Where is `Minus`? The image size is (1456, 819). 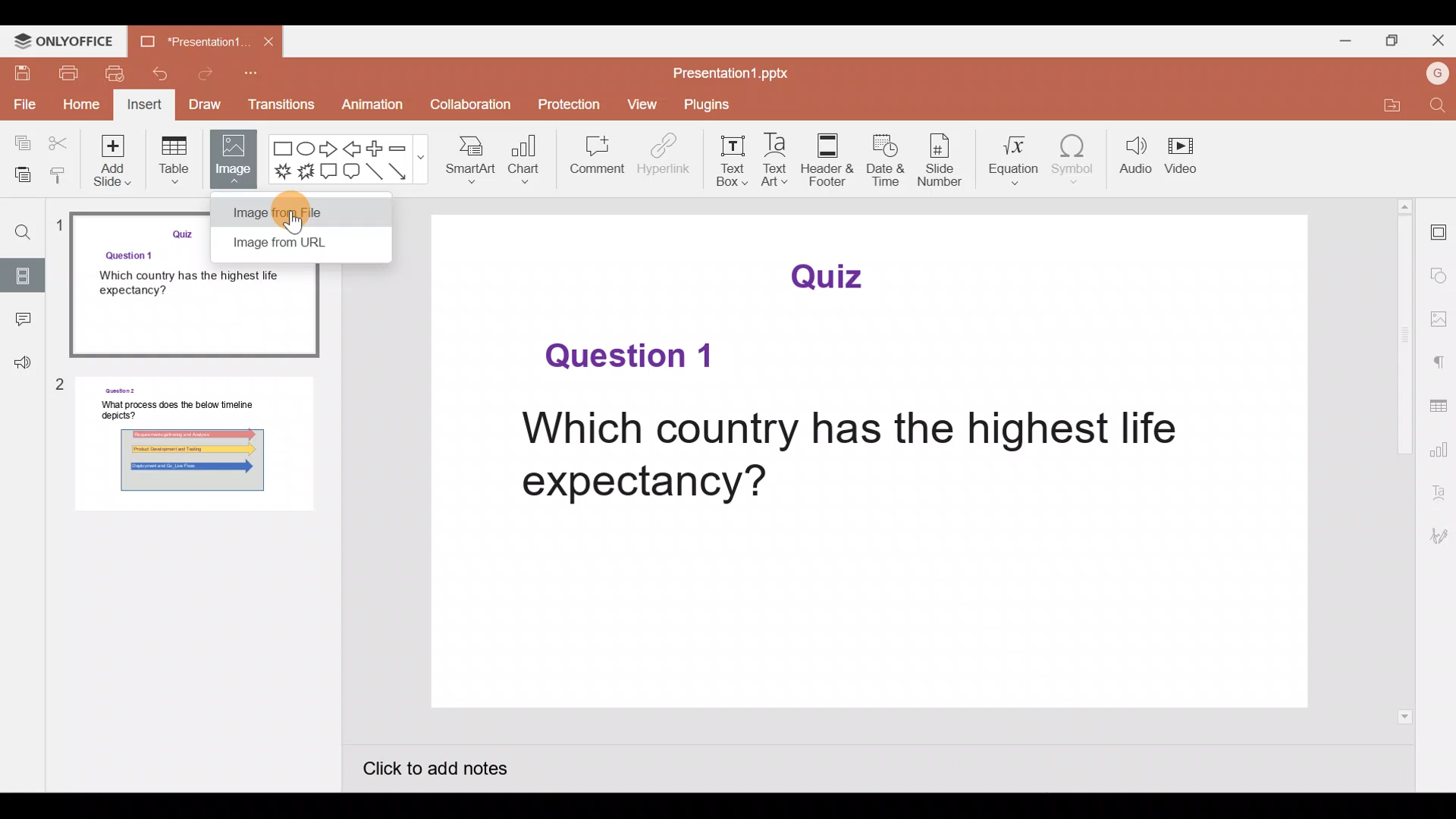 Minus is located at coordinates (406, 146).